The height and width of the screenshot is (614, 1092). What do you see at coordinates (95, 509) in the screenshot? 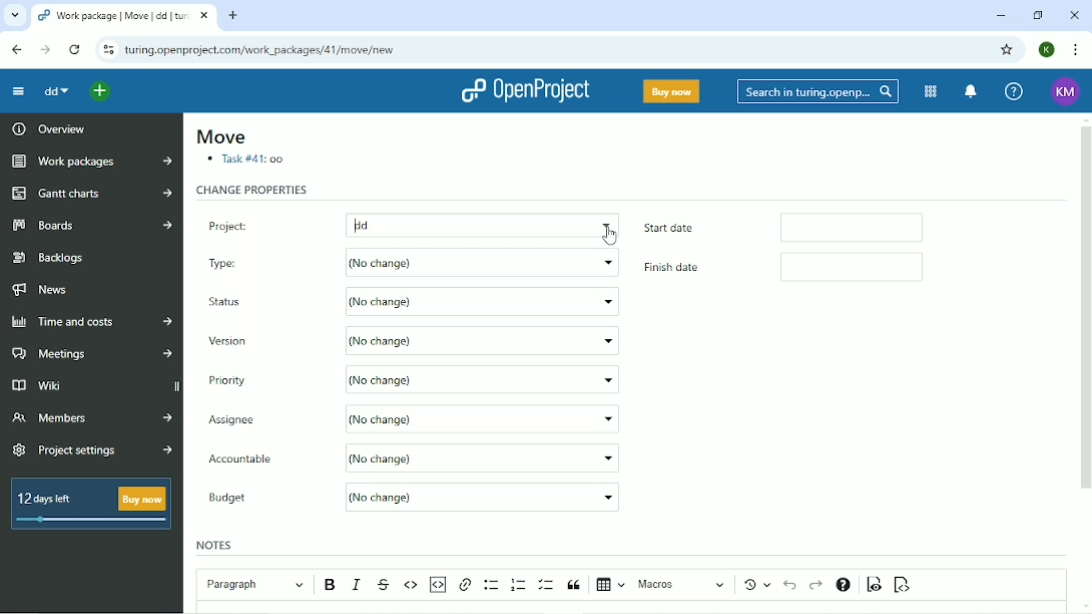
I see `12 days left Buy now` at bounding box center [95, 509].